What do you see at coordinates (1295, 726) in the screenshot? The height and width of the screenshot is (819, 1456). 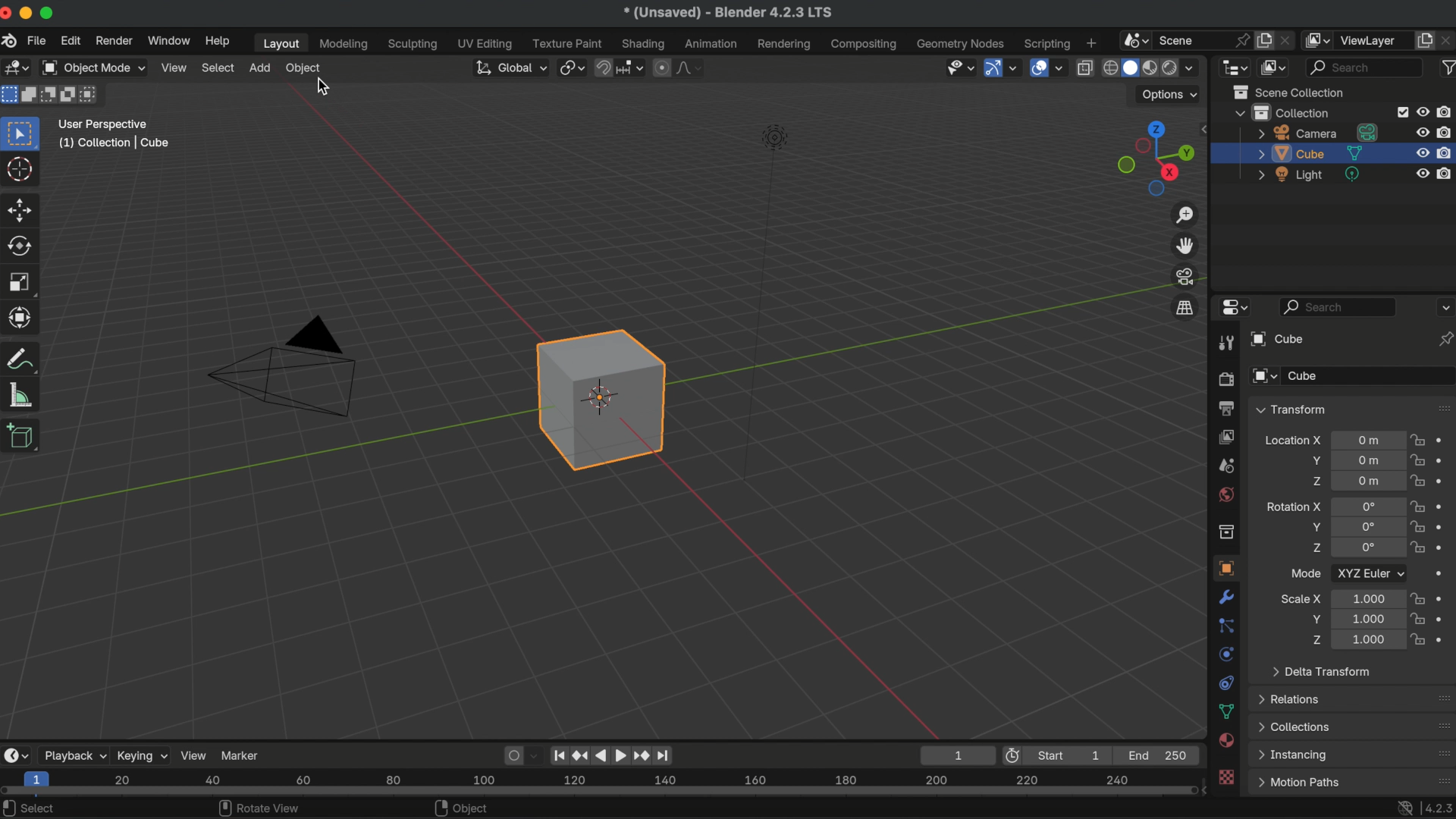 I see `collections` at bounding box center [1295, 726].